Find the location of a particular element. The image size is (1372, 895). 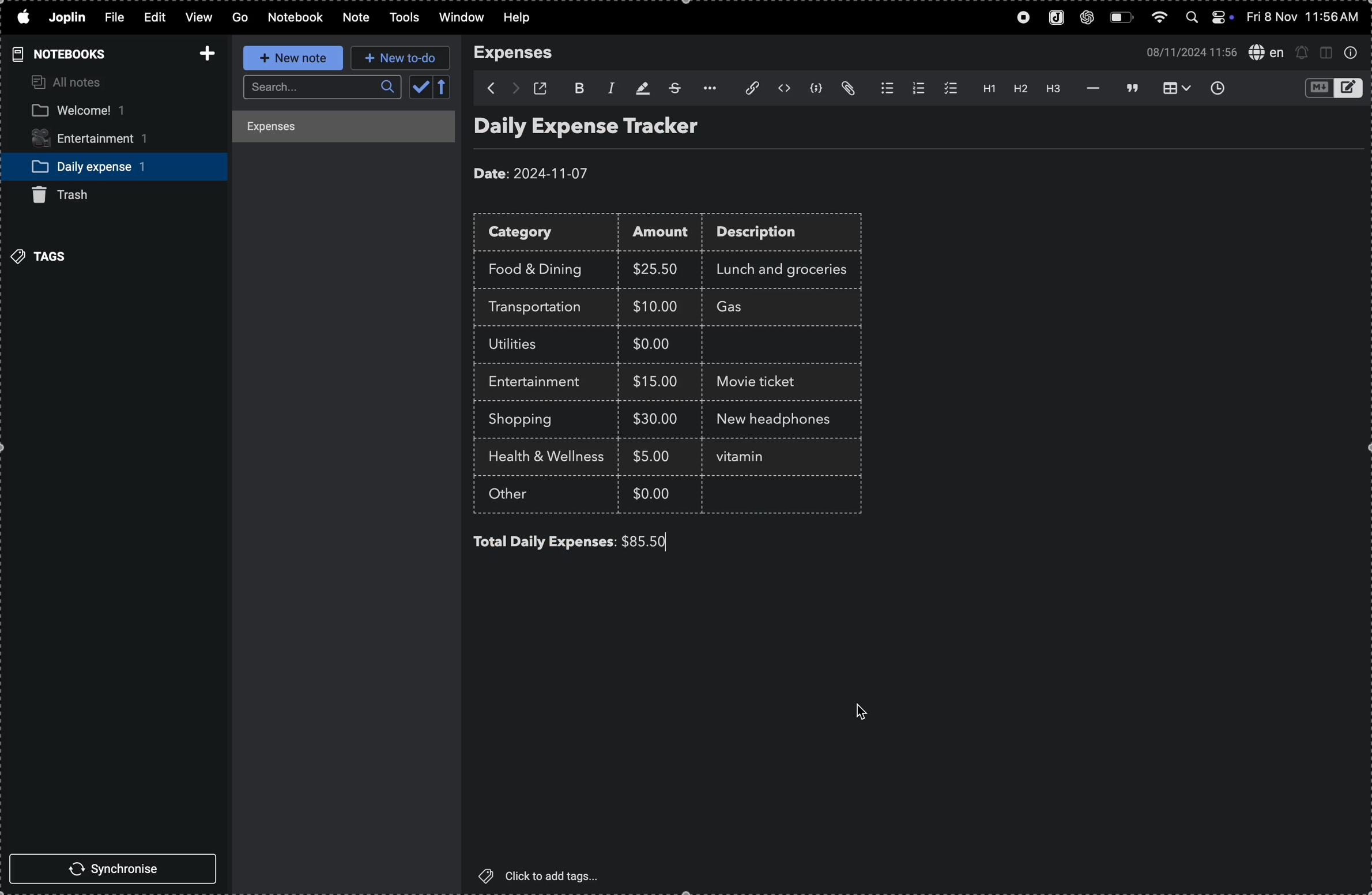

battery is located at coordinates (1121, 18).